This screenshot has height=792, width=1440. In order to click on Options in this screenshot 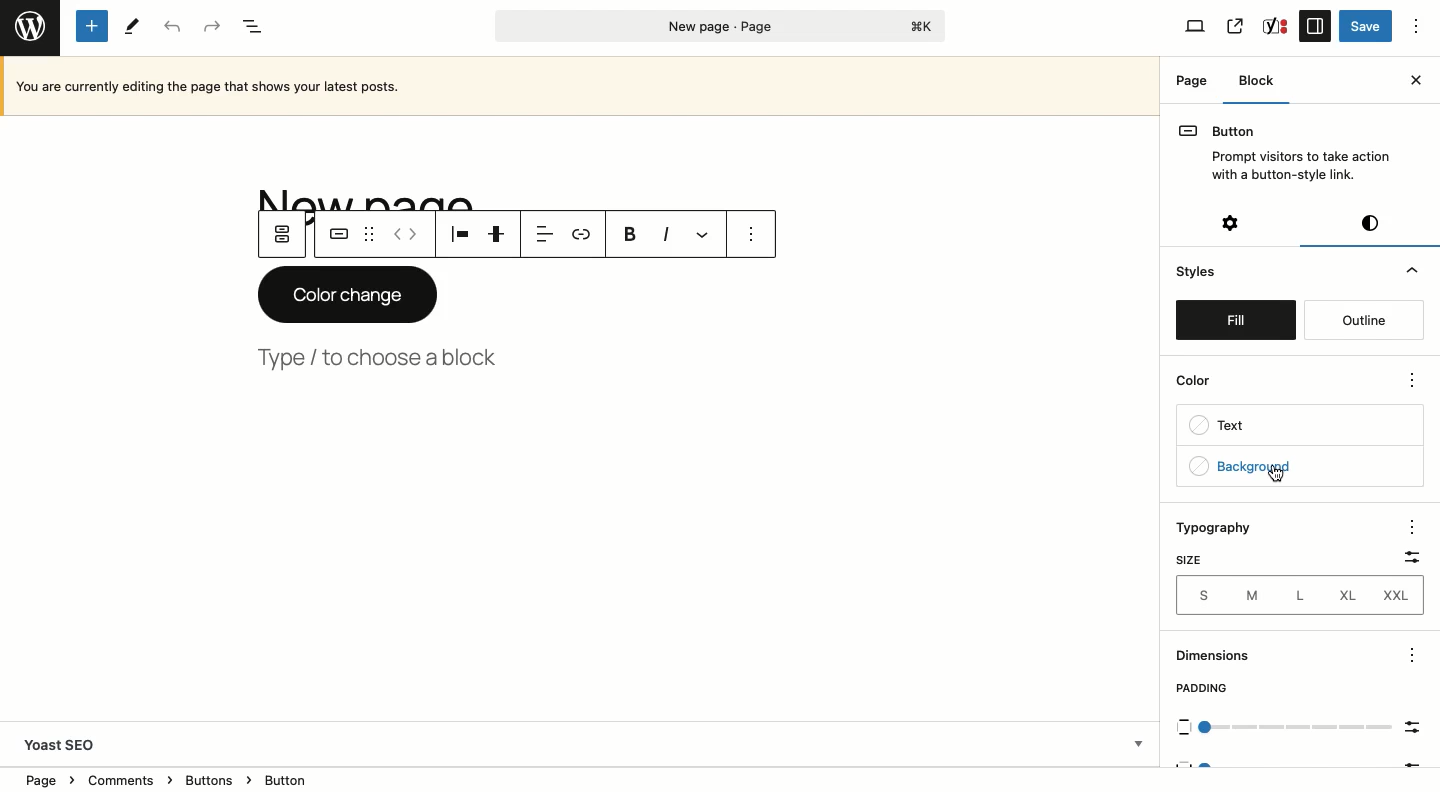, I will do `click(751, 236)`.